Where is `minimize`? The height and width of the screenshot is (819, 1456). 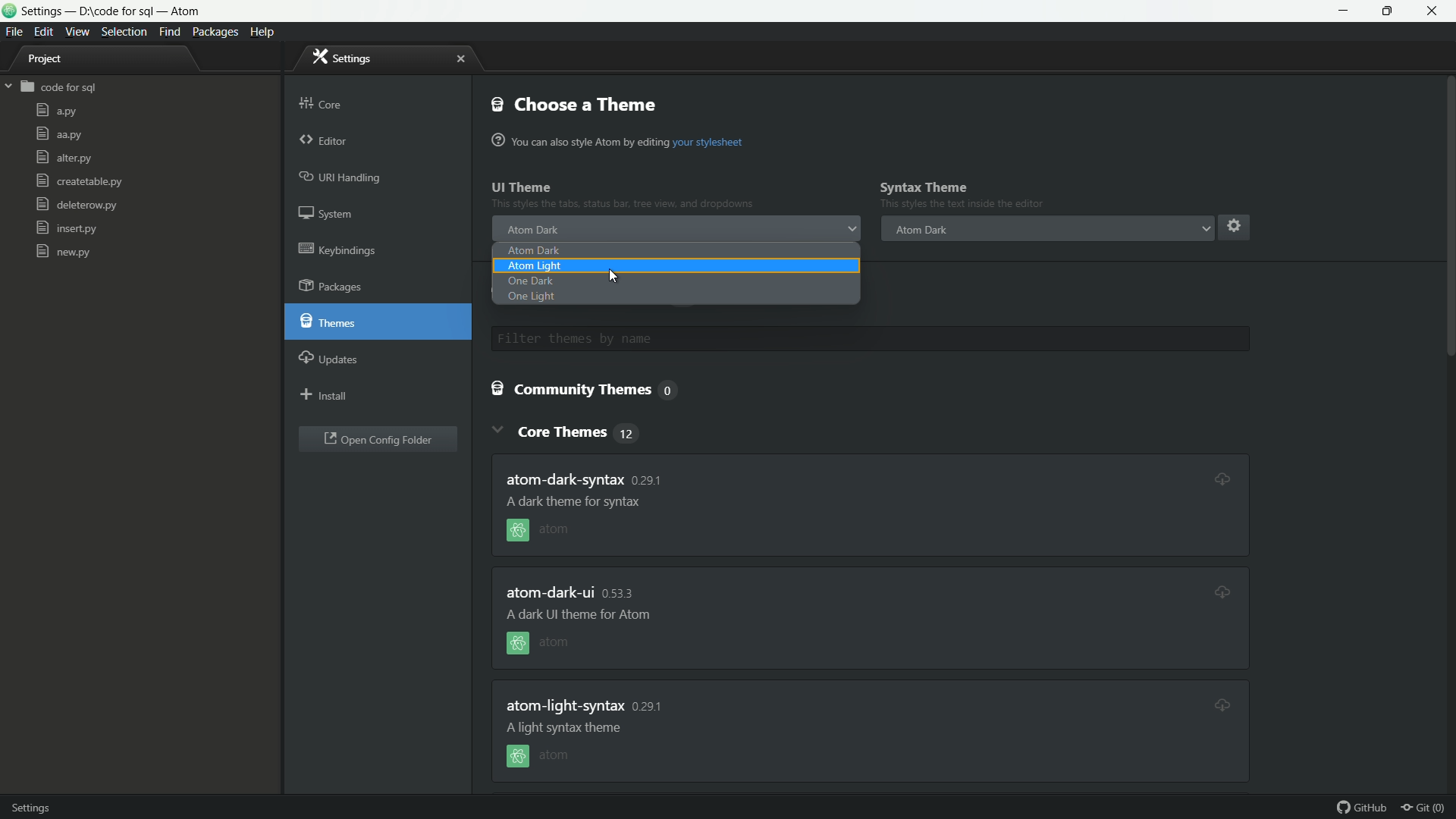
minimize is located at coordinates (1345, 11).